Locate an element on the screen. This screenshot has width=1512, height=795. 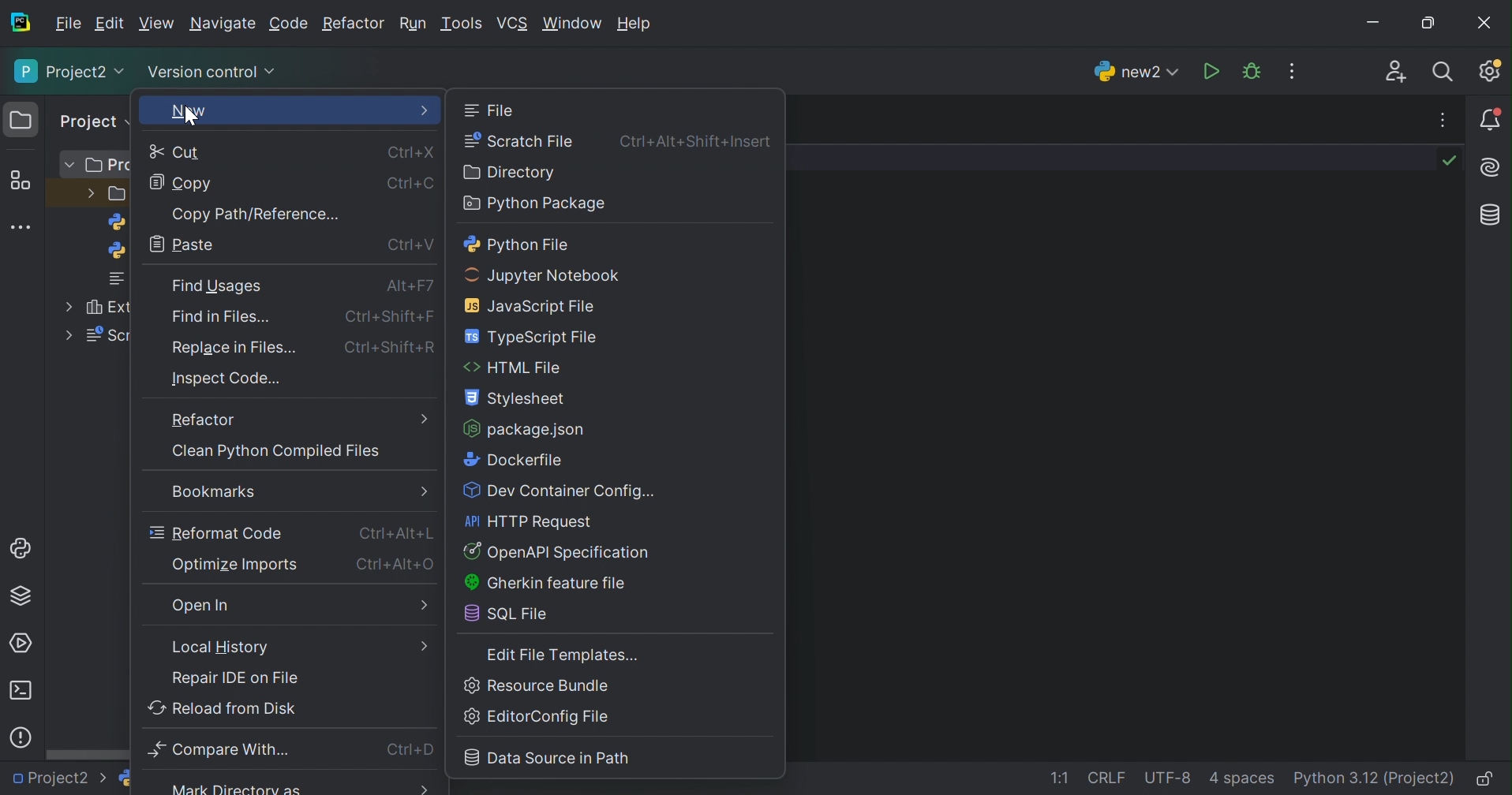
Directory is located at coordinates (508, 173).